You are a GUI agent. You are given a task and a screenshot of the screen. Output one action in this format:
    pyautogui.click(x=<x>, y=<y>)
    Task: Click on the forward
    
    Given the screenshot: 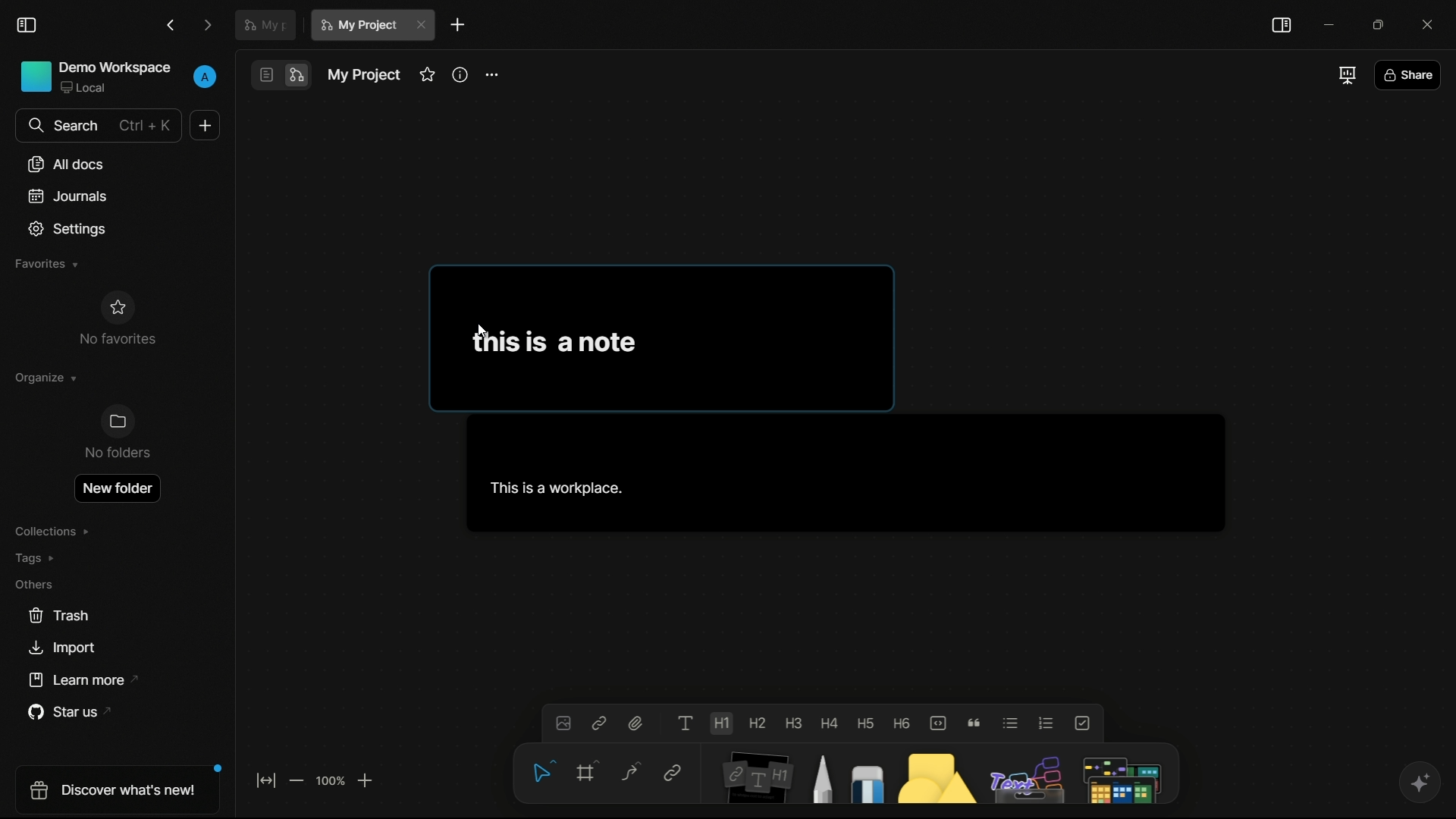 What is the action you would take?
    pyautogui.click(x=209, y=24)
    